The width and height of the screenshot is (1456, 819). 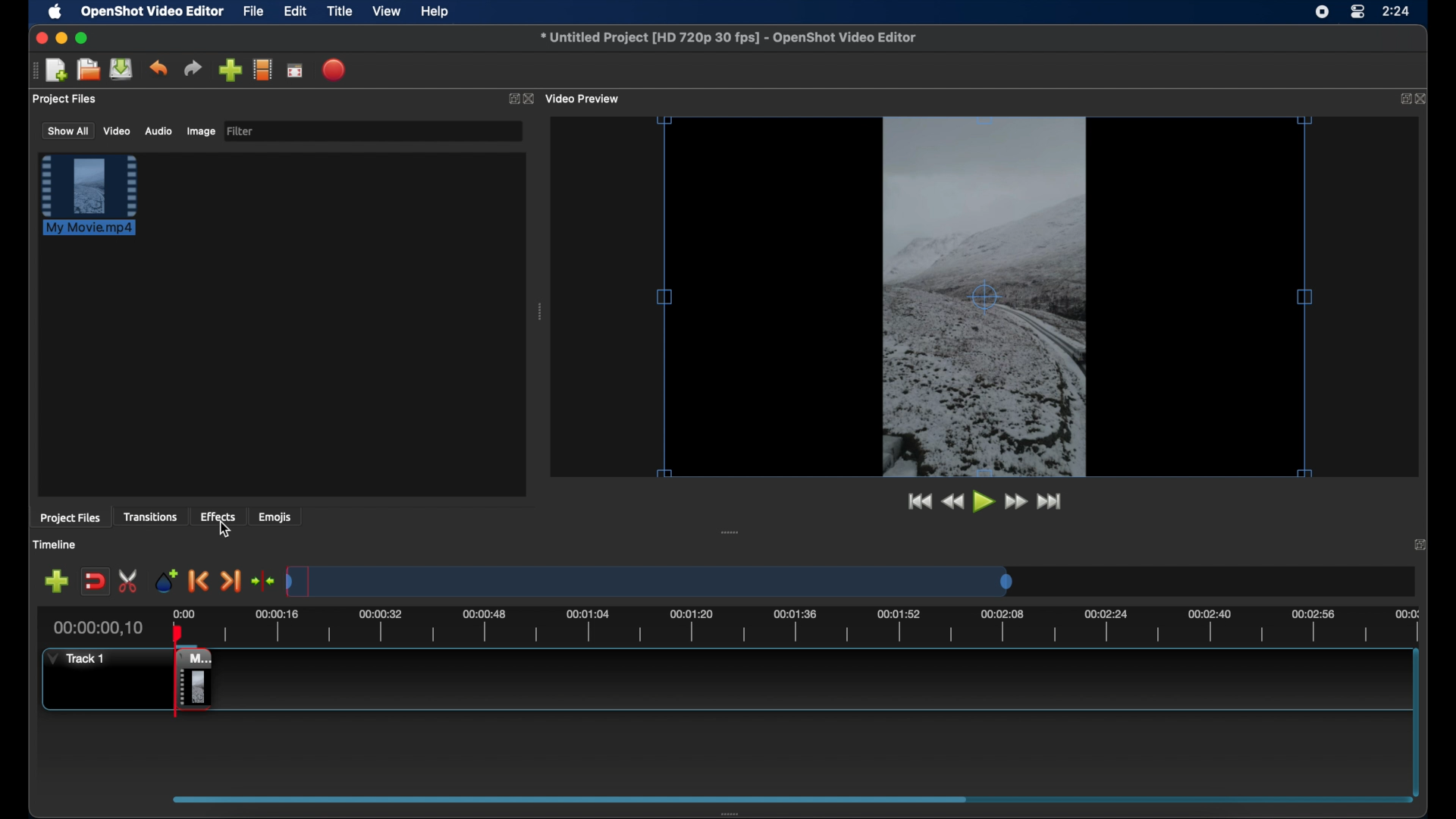 I want to click on show all, so click(x=67, y=130).